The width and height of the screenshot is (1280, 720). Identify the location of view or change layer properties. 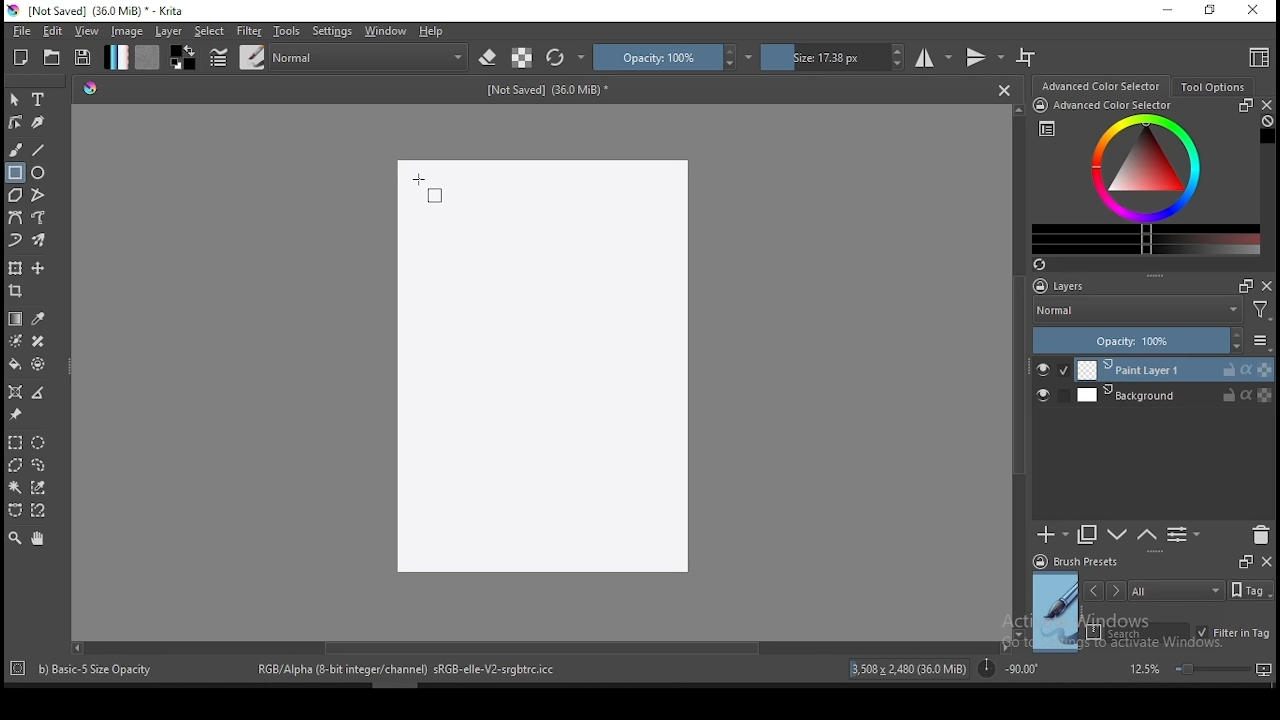
(1183, 534).